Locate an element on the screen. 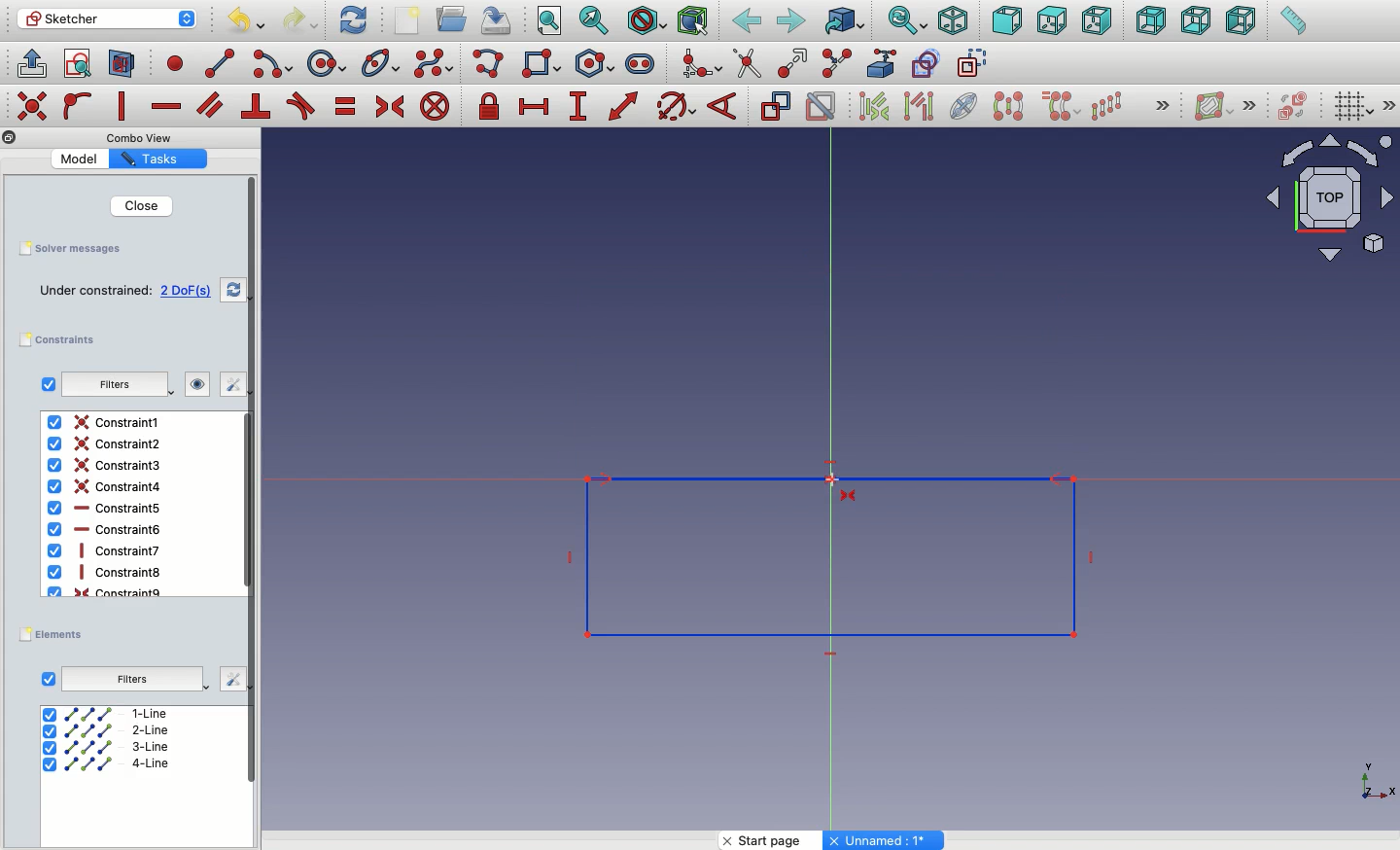 This screenshot has width=1400, height=850. Toggle grid is located at coordinates (1351, 105).